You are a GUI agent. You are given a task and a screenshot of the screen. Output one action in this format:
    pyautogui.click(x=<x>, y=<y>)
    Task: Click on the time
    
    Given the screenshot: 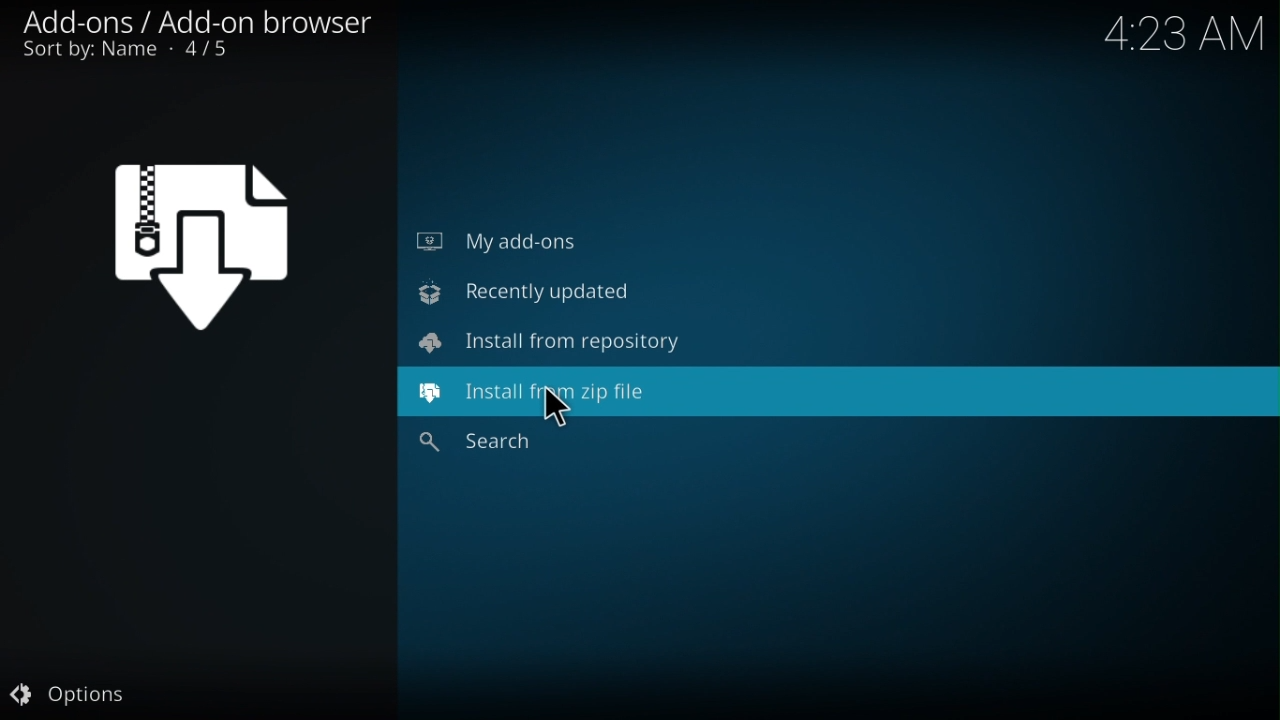 What is the action you would take?
    pyautogui.click(x=1186, y=29)
    